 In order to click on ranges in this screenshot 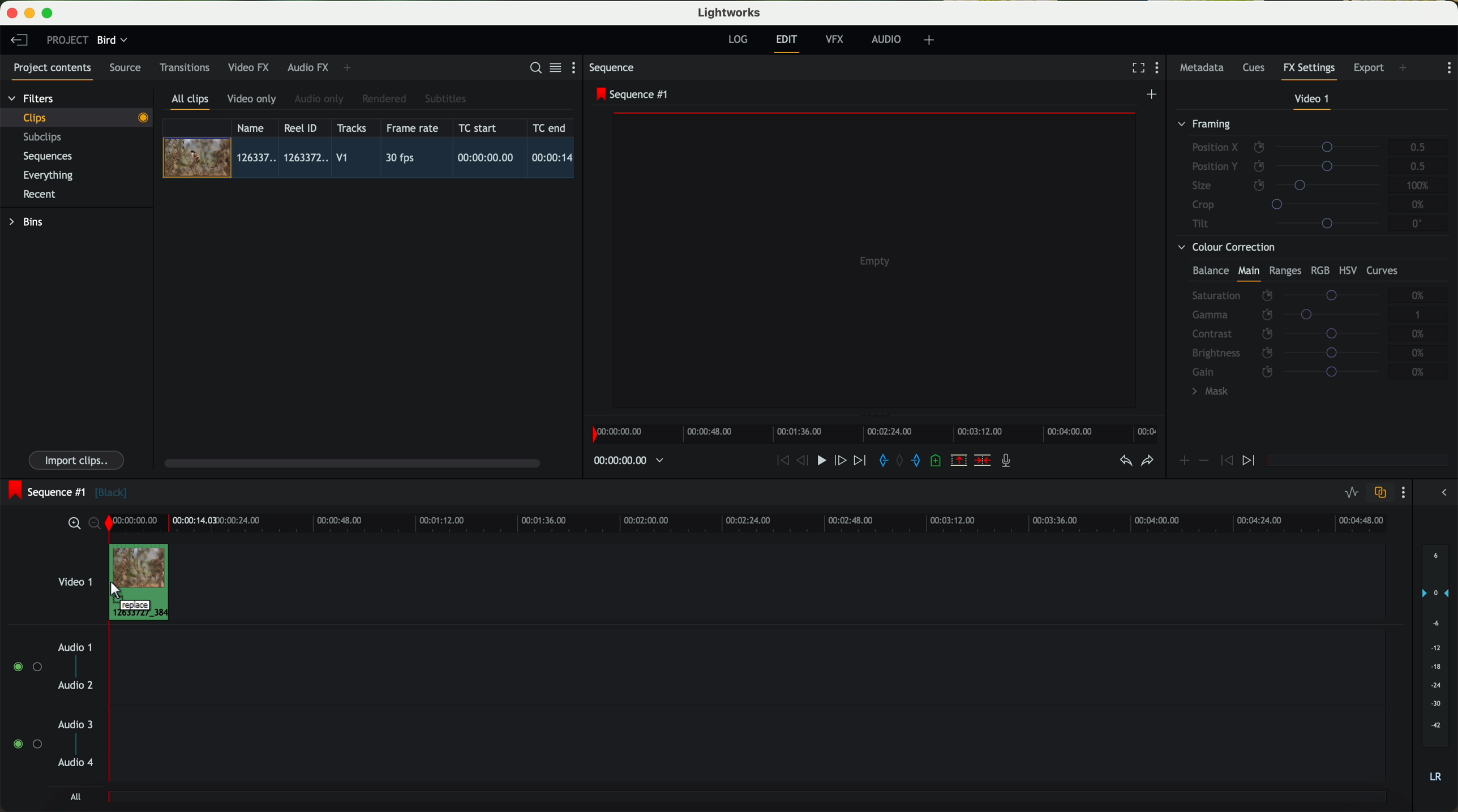, I will do `click(1285, 270)`.